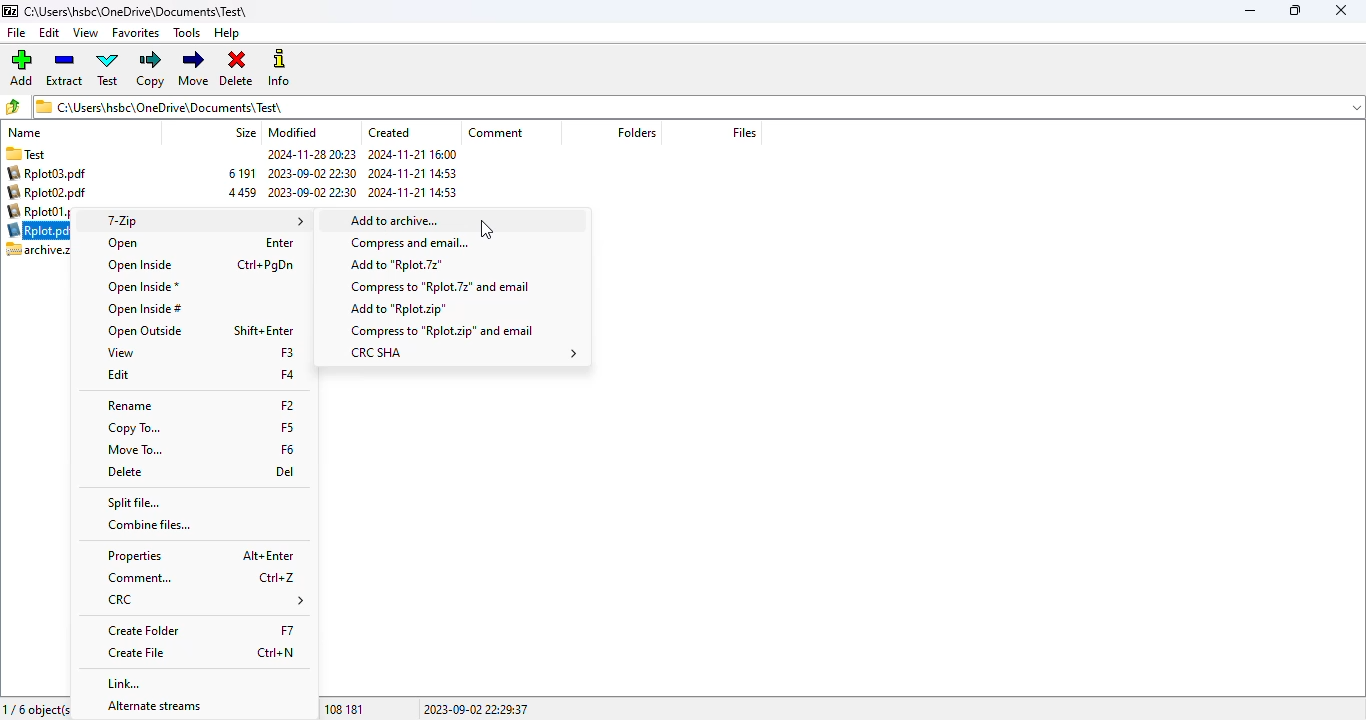 The height and width of the screenshot is (720, 1366). I want to click on 108 181, so click(346, 709).